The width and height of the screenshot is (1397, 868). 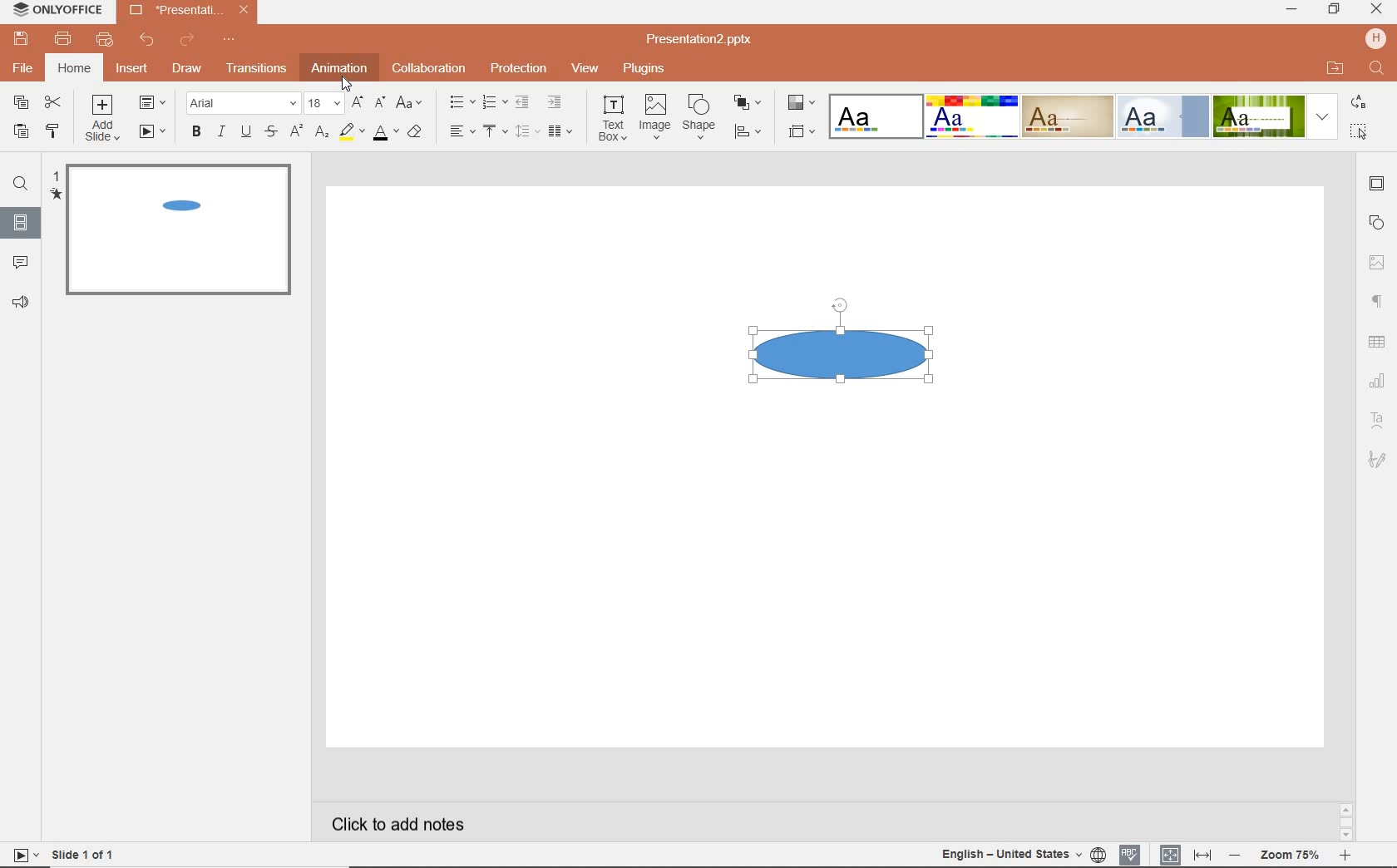 I want to click on CHANGE COLOR THEME, so click(x=802, y=103).